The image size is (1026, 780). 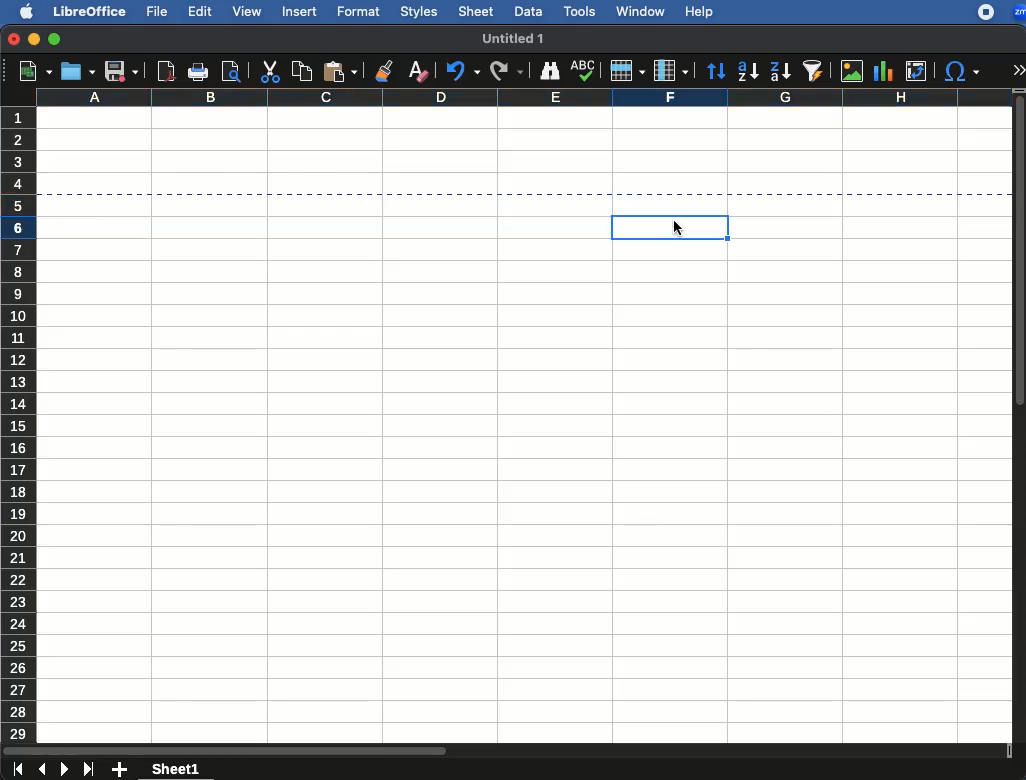 I want to click on print preview, so click(x=233, y=71).